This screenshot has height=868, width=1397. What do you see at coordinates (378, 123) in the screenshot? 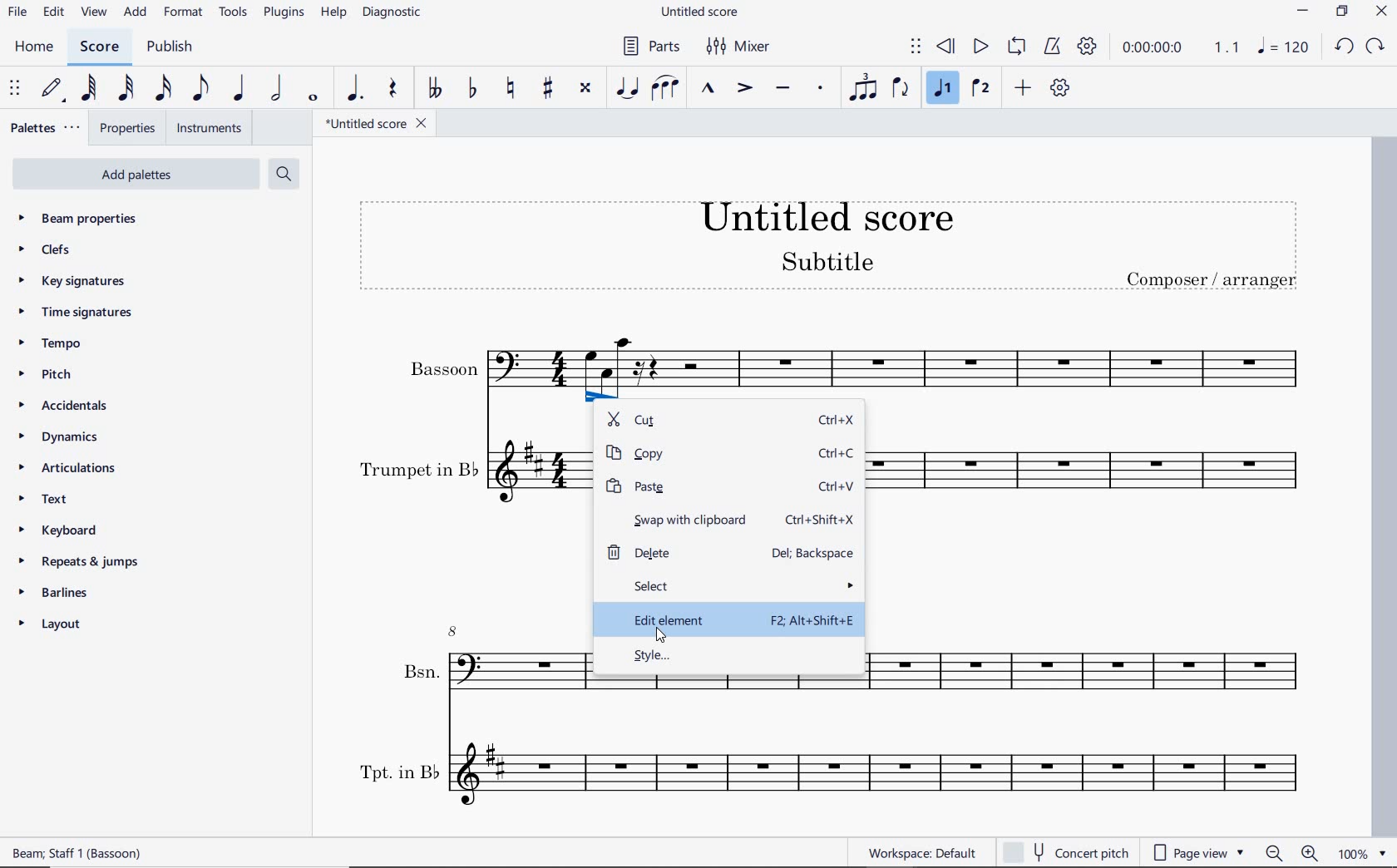
I see `file name` at bounding box center [378, 123].